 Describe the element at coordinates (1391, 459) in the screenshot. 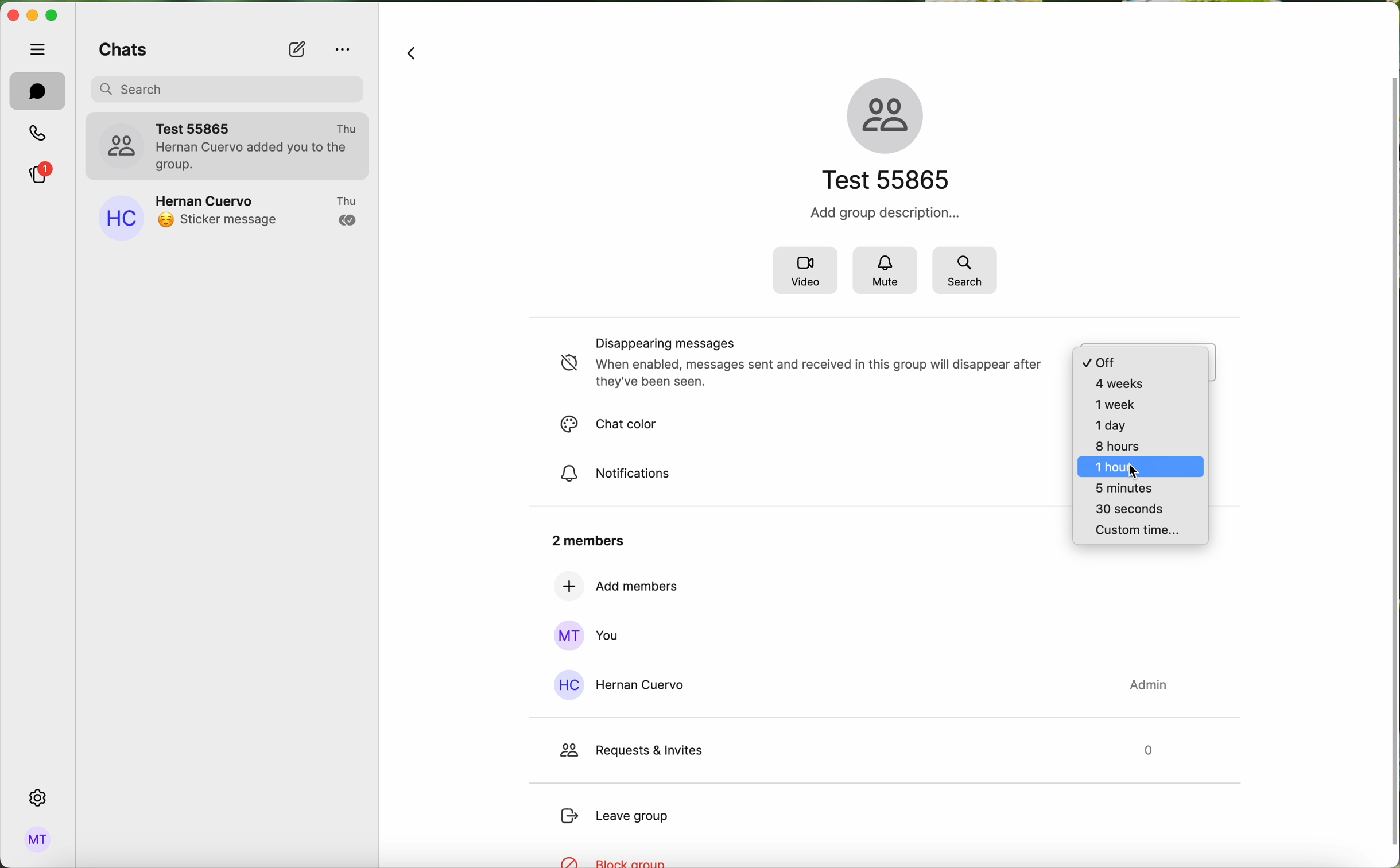

I see `vertical scrollbar` at that location.